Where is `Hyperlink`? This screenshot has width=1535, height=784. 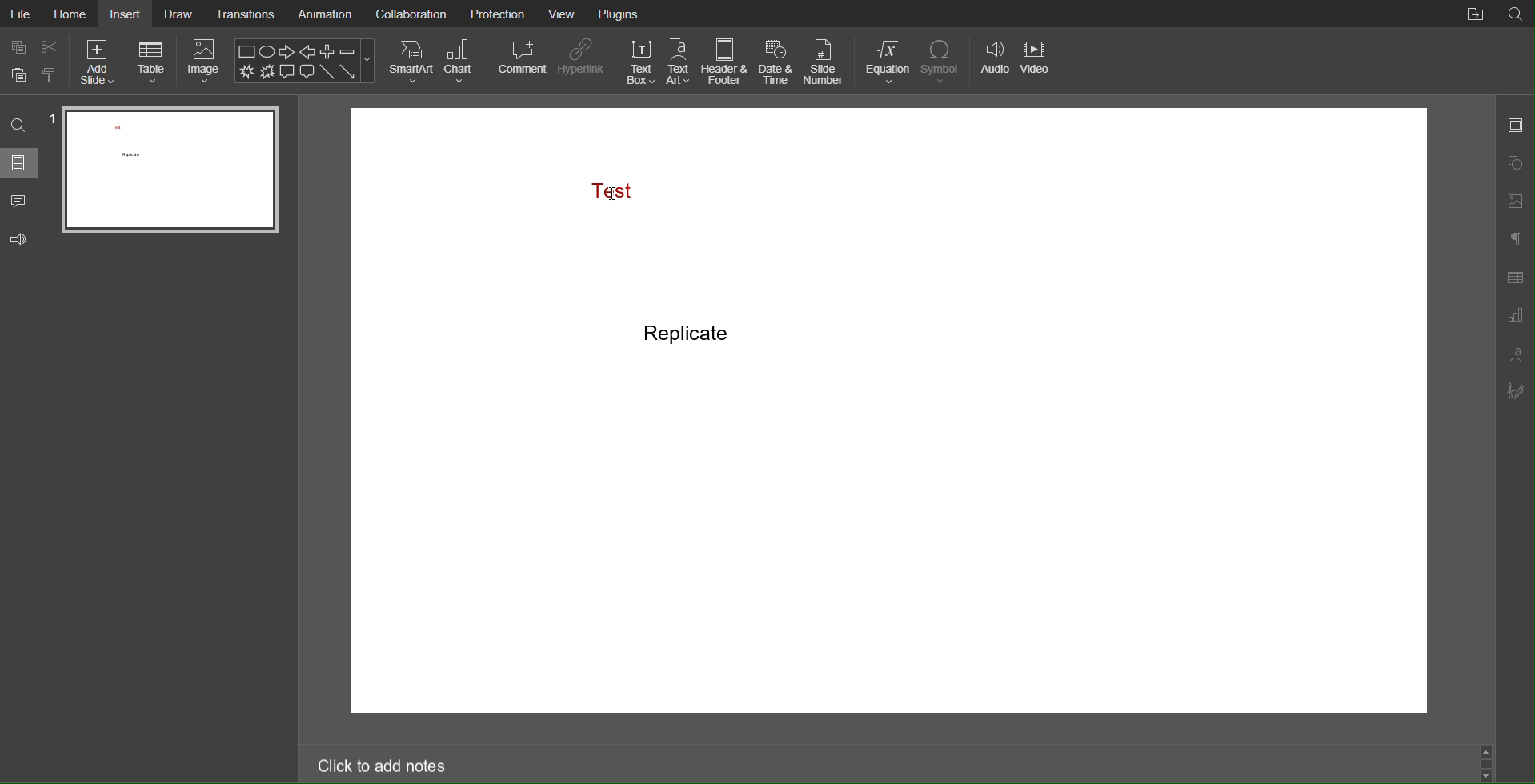 Hyperlink is located at coordinates (583, 62).